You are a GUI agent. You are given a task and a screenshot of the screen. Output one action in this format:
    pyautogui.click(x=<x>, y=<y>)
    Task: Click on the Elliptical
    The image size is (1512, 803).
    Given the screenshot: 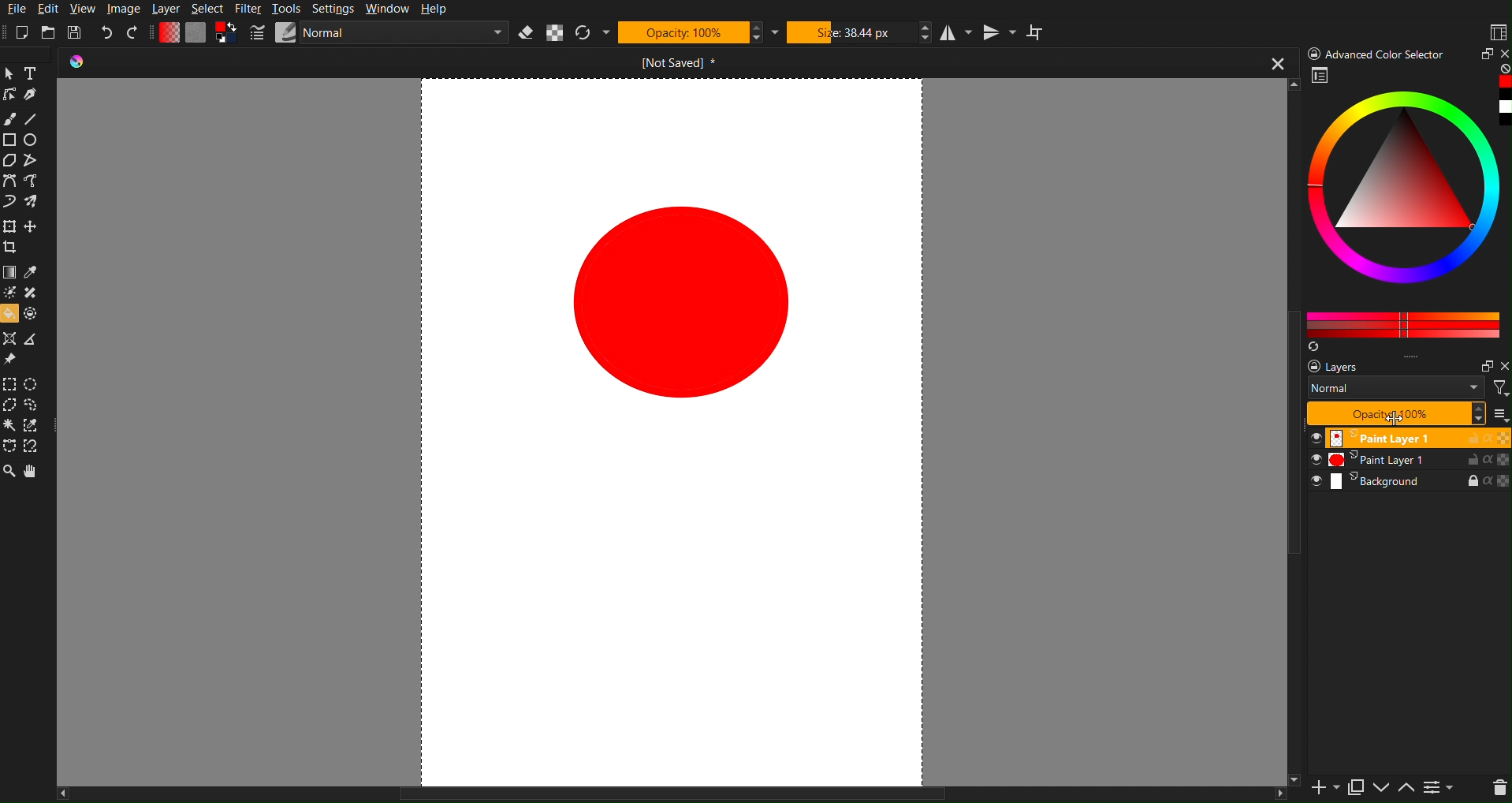 What is the action you would take?
    pyautogui.click(x=33, y=385)
    